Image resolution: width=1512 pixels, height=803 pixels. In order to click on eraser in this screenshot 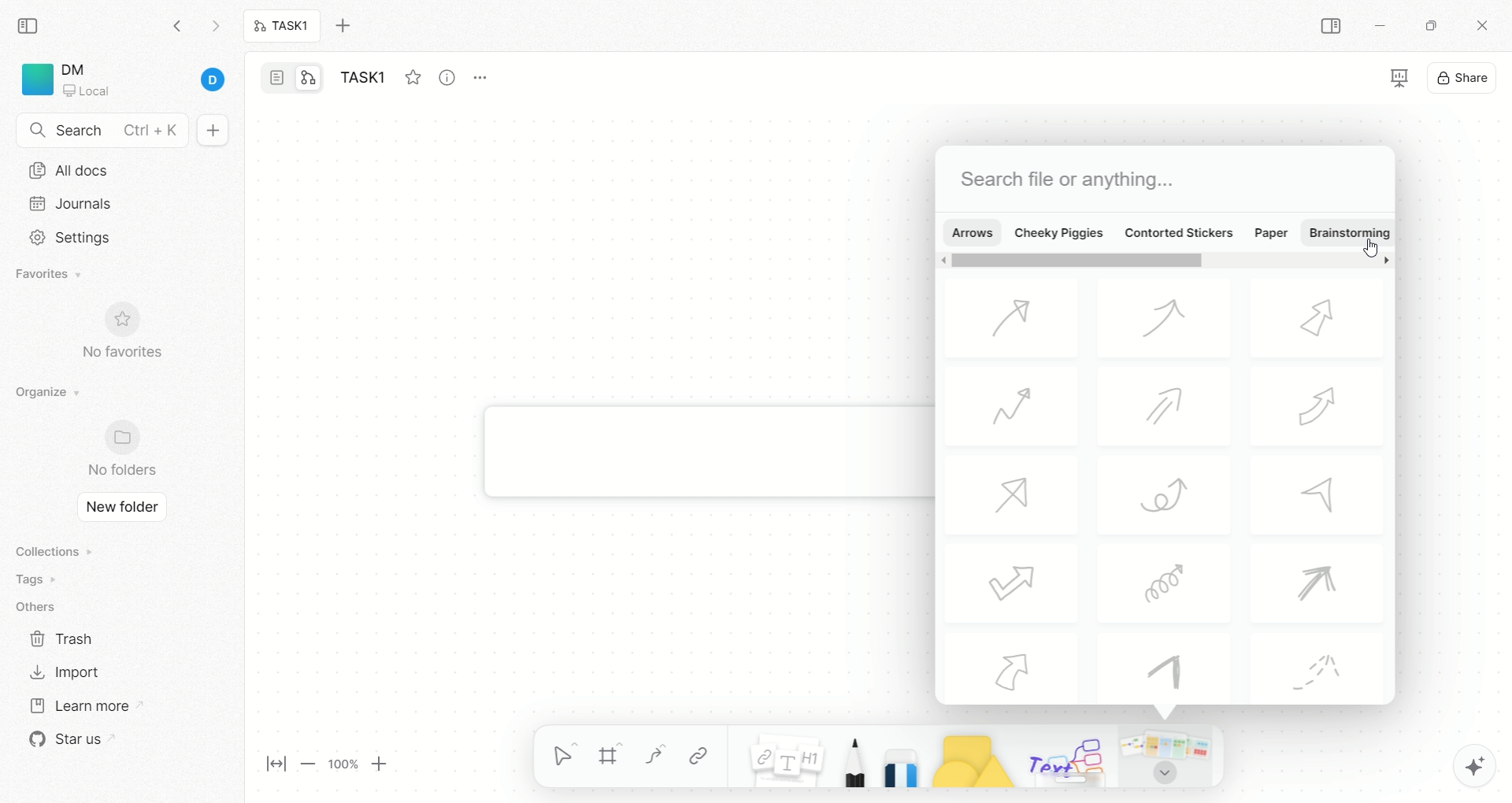, I will do `click(896, 756)`.